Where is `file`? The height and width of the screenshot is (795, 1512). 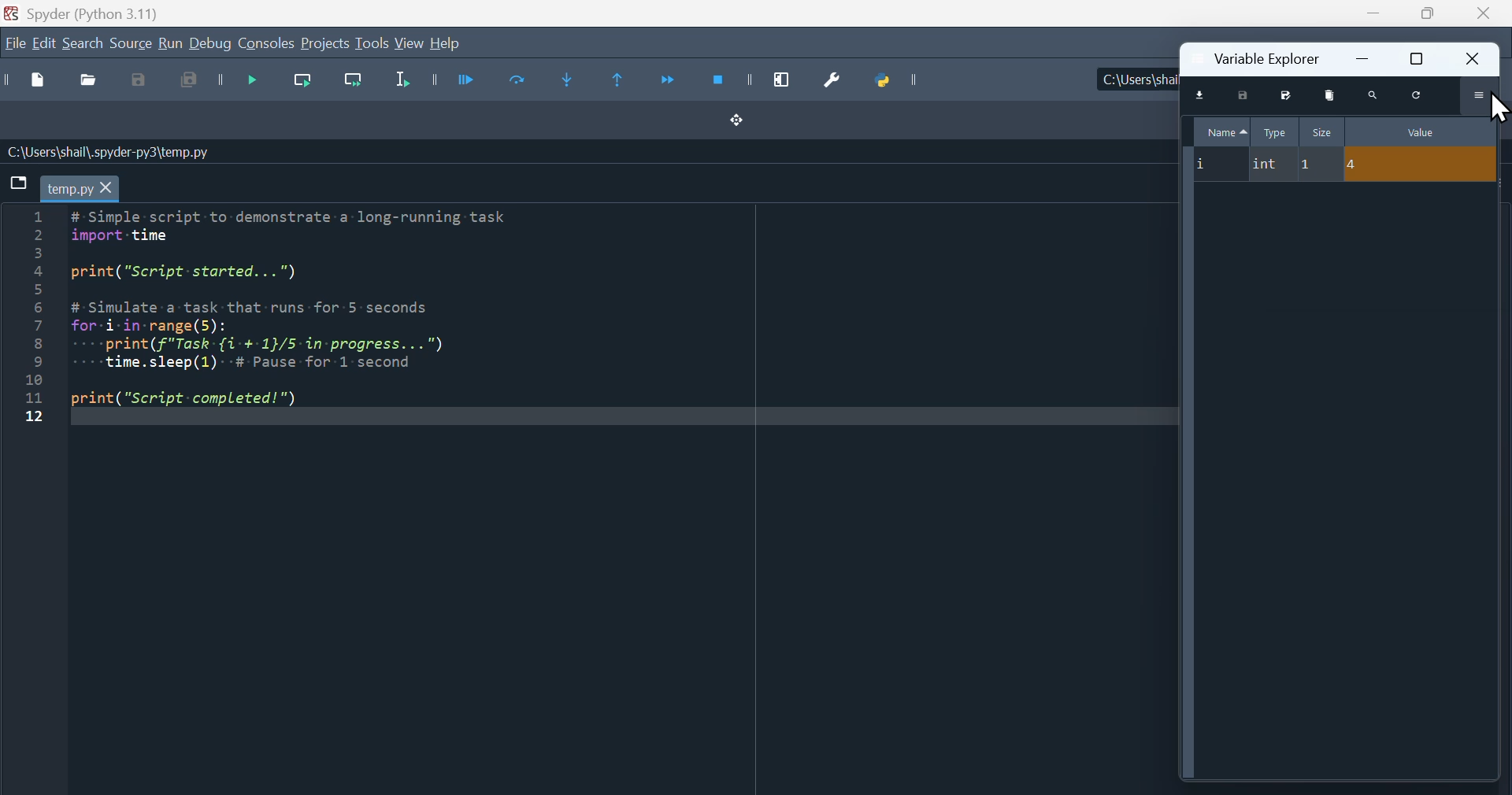 file is located at coordinates (14, 43).